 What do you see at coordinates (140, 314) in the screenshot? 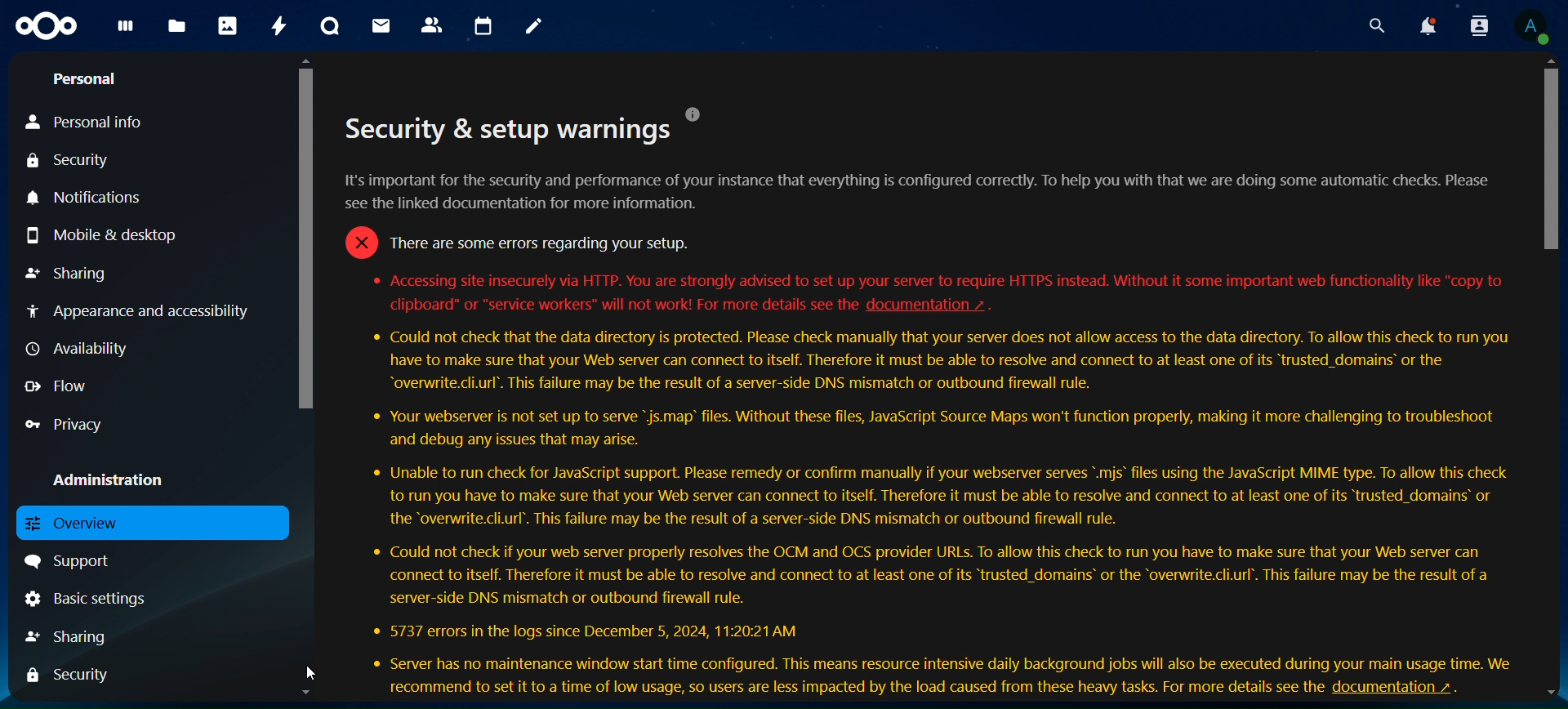
I see `appearance and accessibilty` at bounding box center [140, 314].